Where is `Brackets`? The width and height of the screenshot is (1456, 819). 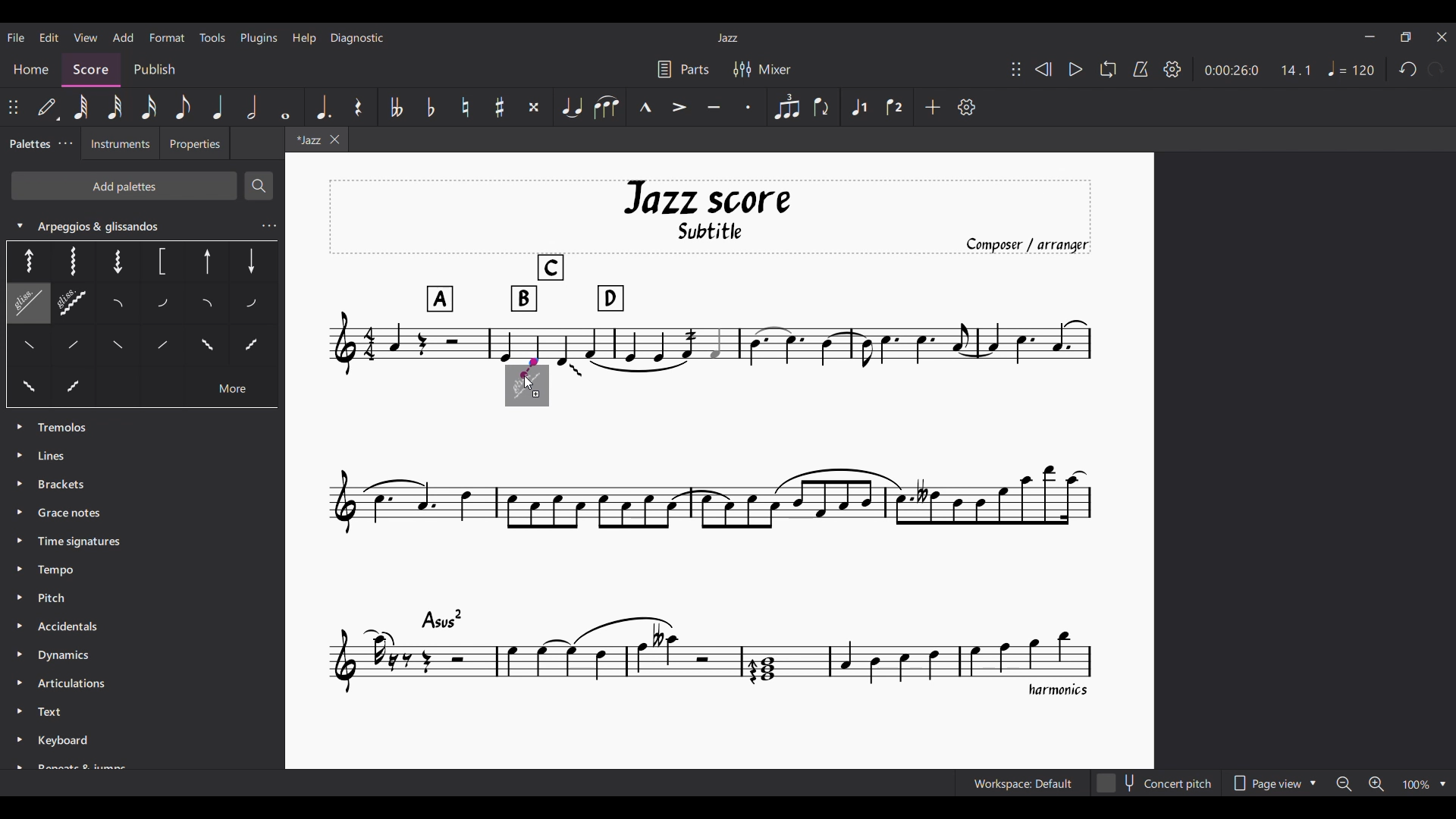
Brackets is located at coordinates (62, 482).